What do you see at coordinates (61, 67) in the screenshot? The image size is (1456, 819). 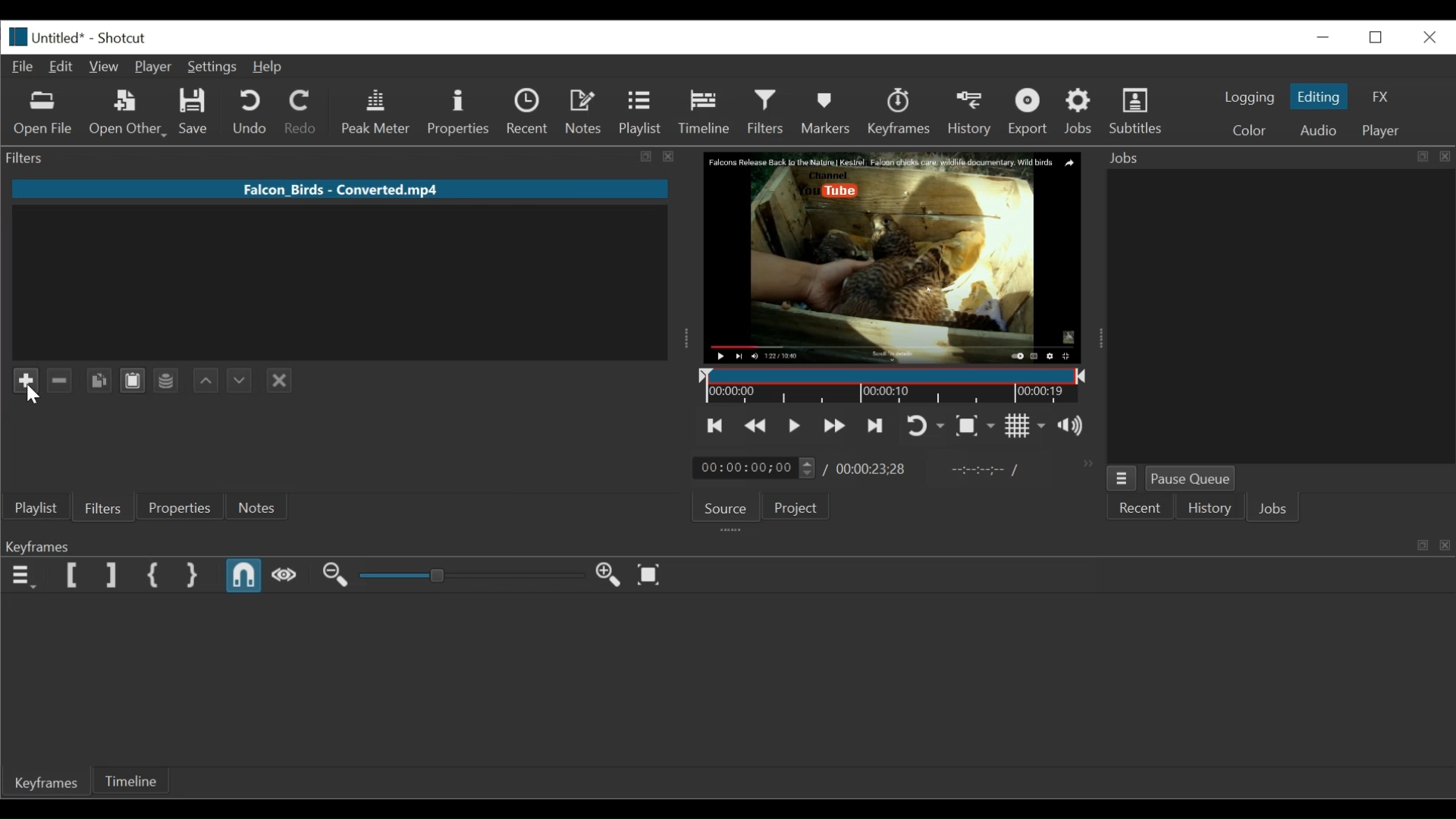 I see `Edit` at bounding box center [61, 67].